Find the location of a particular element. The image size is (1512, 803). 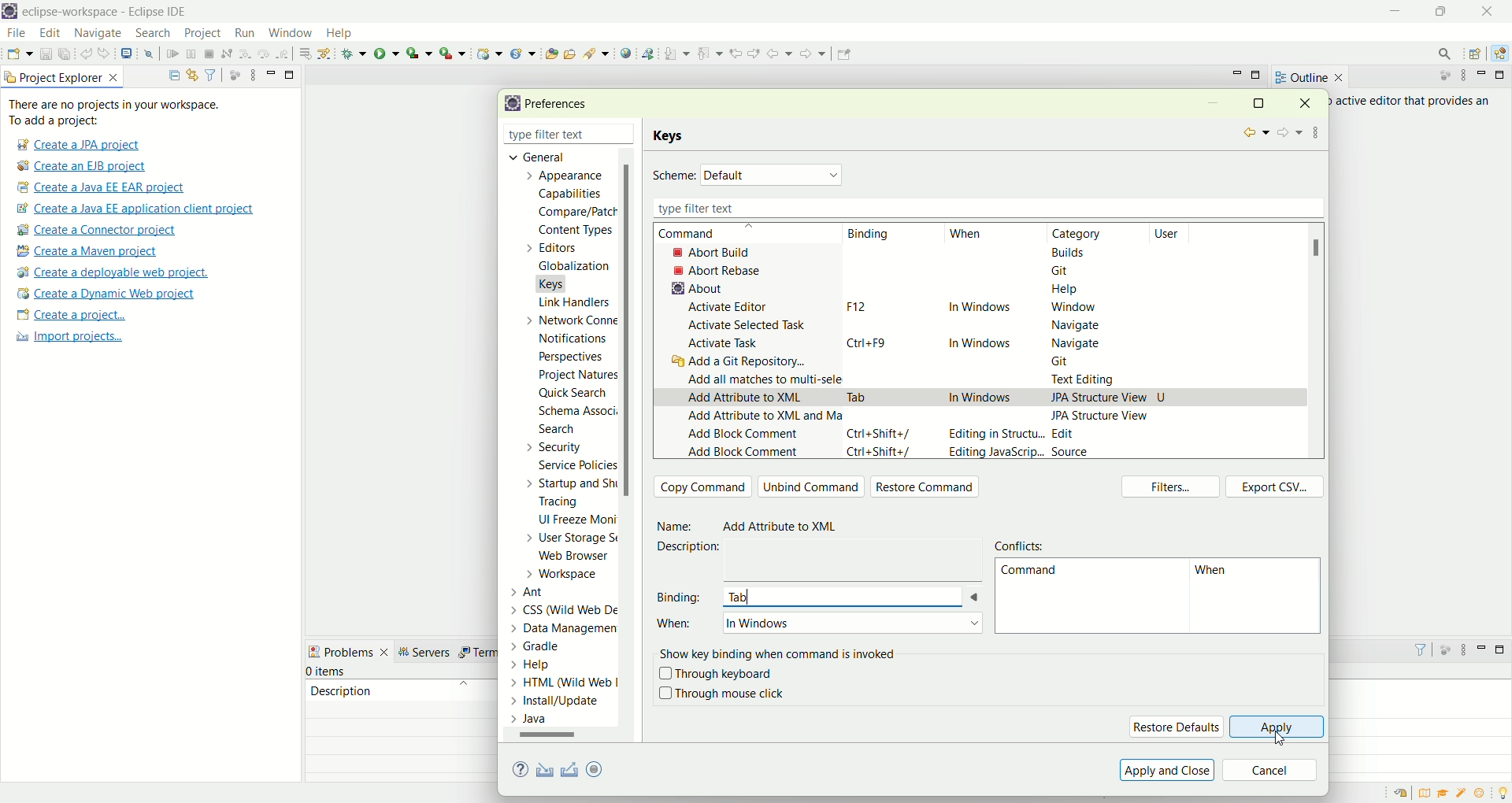

create a JPA project is located at coordinates (76, 145).